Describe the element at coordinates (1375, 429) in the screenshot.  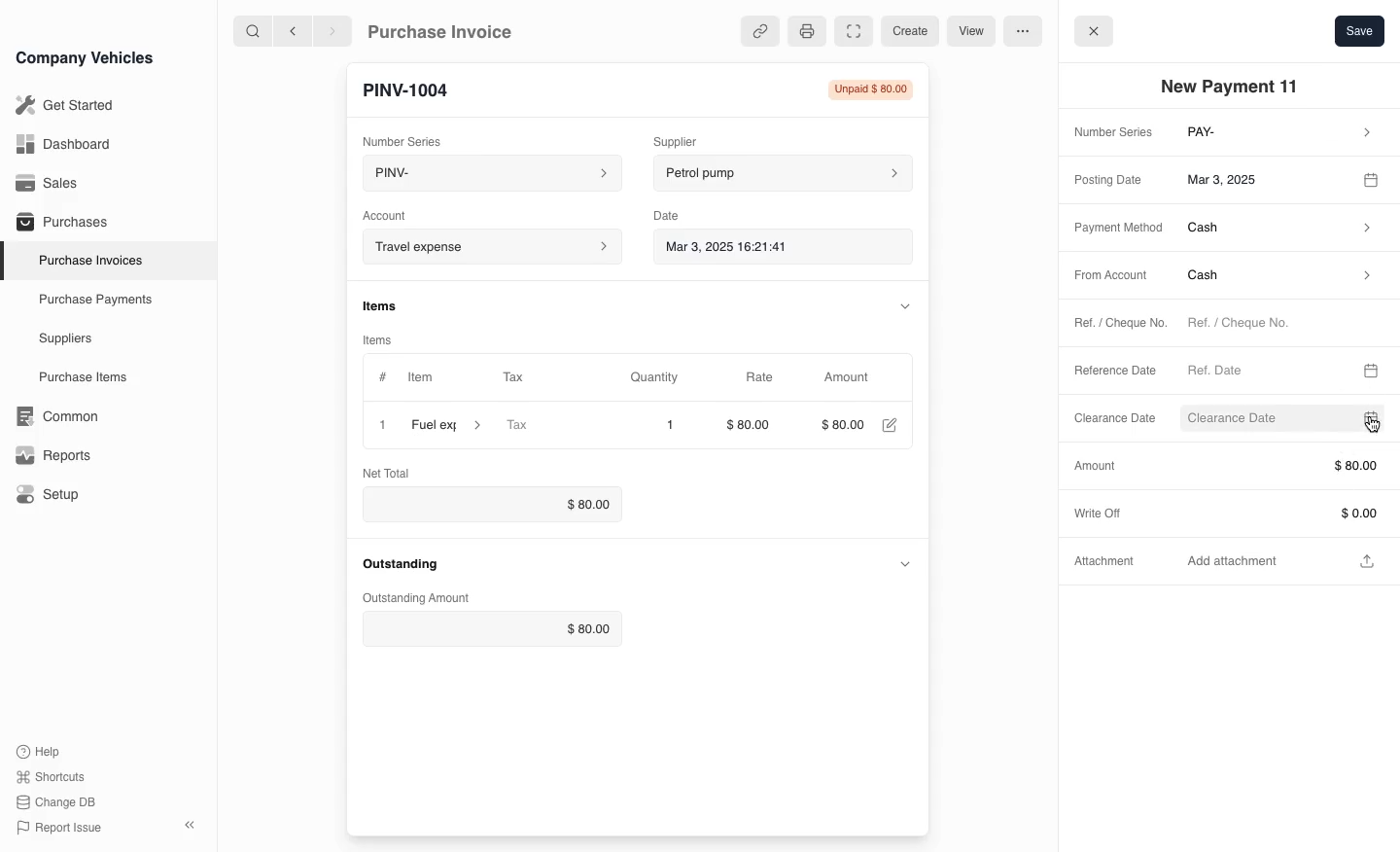
I see `cursor` at that location.